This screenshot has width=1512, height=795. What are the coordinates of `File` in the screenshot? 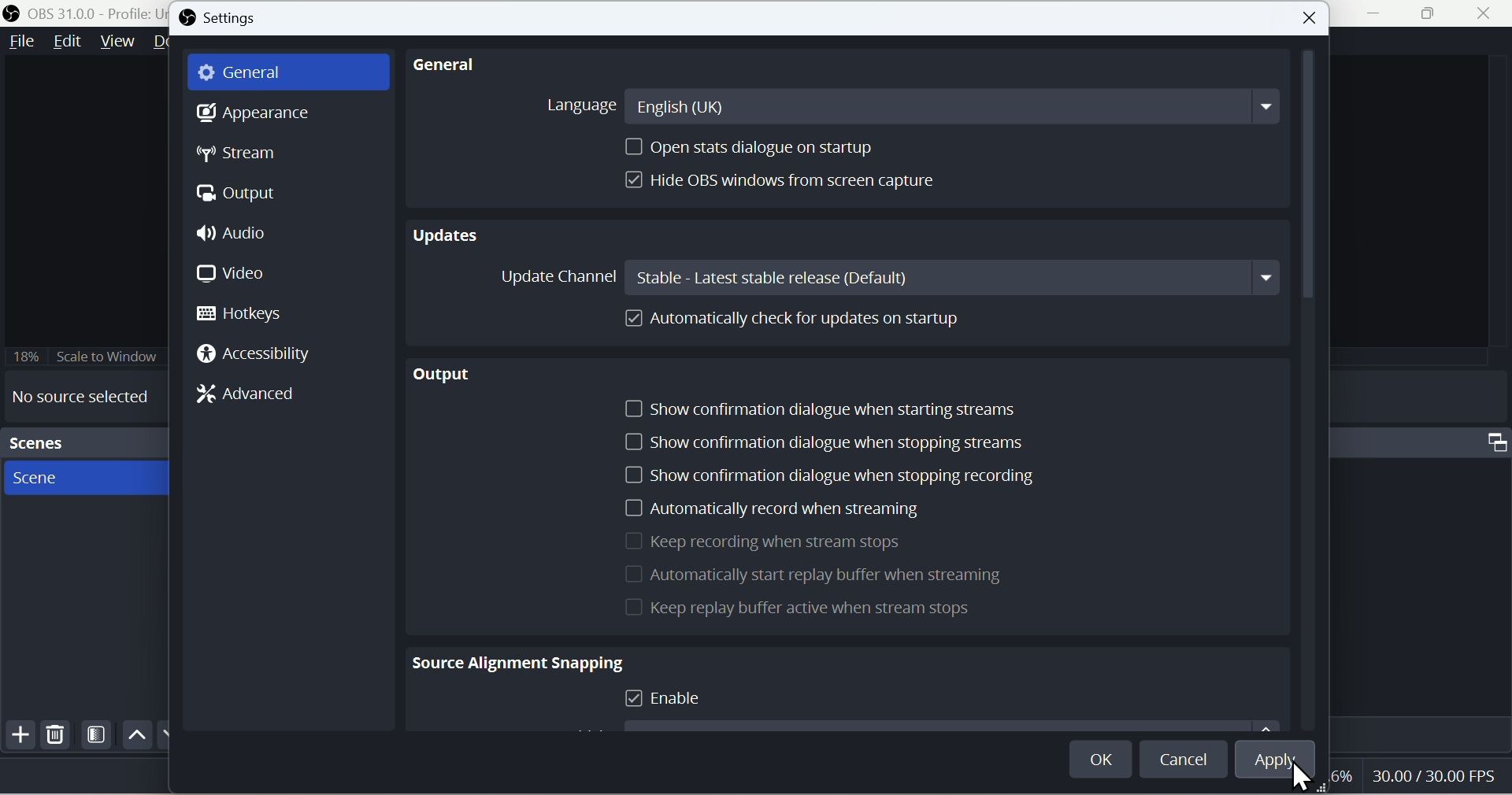 It's located at (18, 44).